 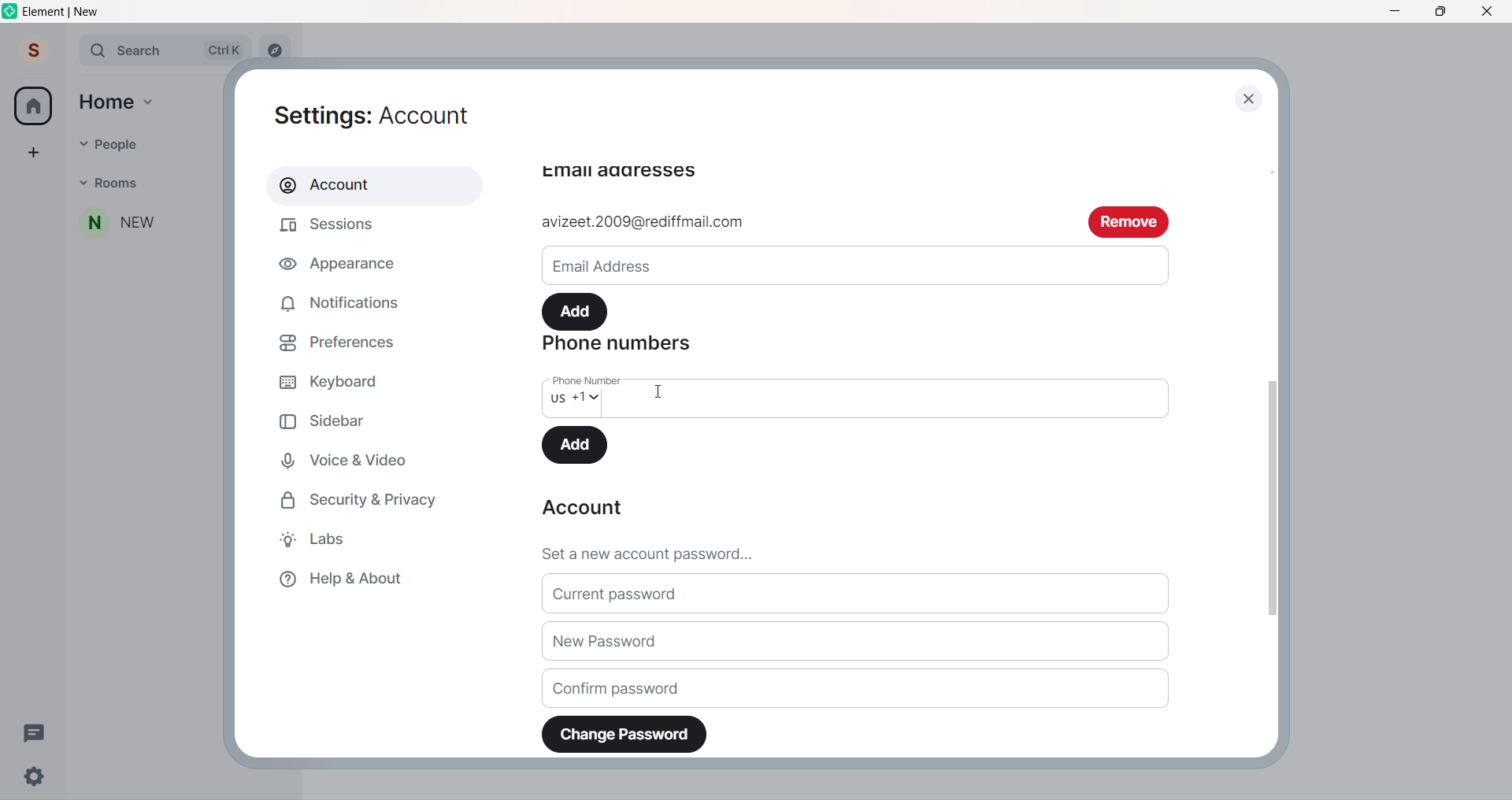 I want to click on Keyboard, so click(x=340, y=380).